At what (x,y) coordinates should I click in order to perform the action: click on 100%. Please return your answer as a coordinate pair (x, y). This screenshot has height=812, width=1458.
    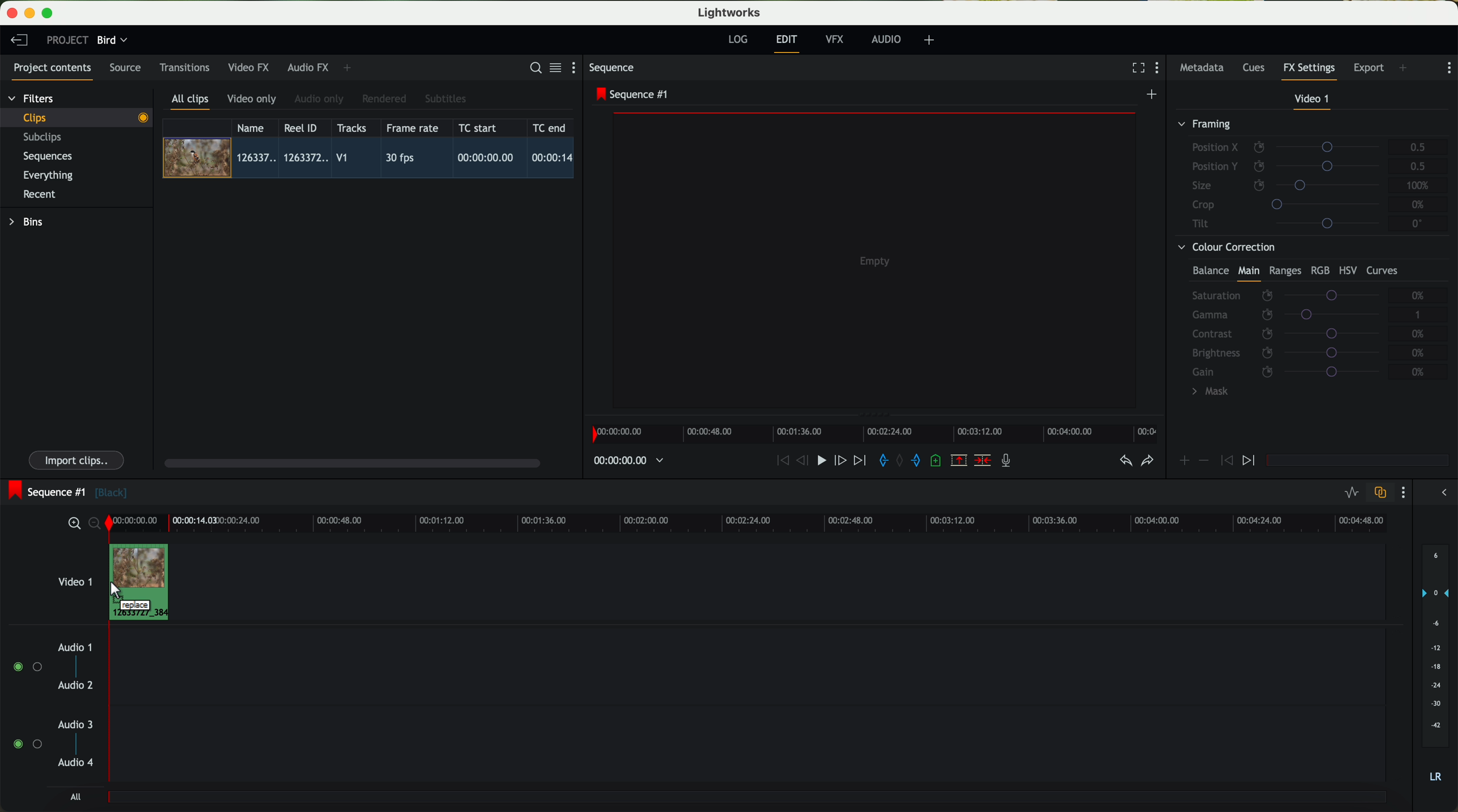
    Looking at the image, I should click on (1421, 186).